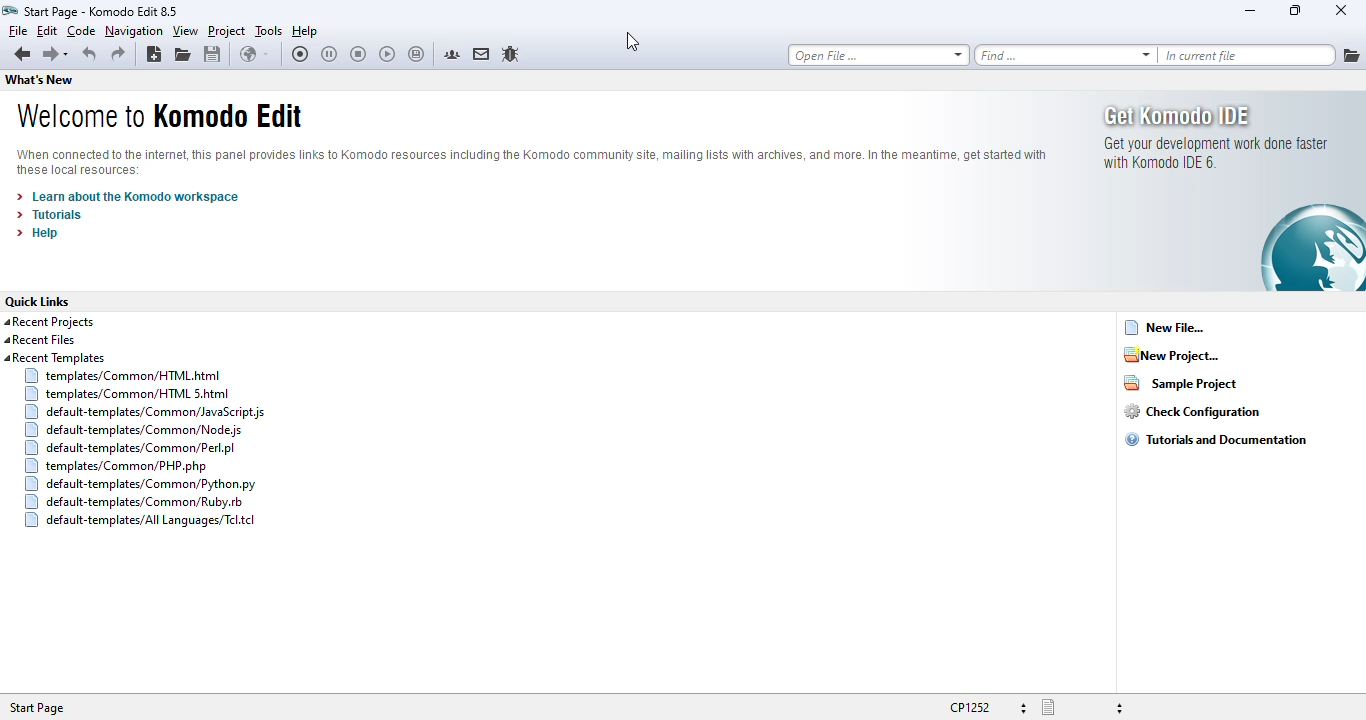 Image resolution: width=1366 pixels, height=720 pixels. Describe the element at coordinates (1340, 10) in the screenshot. I see `close` at that location.